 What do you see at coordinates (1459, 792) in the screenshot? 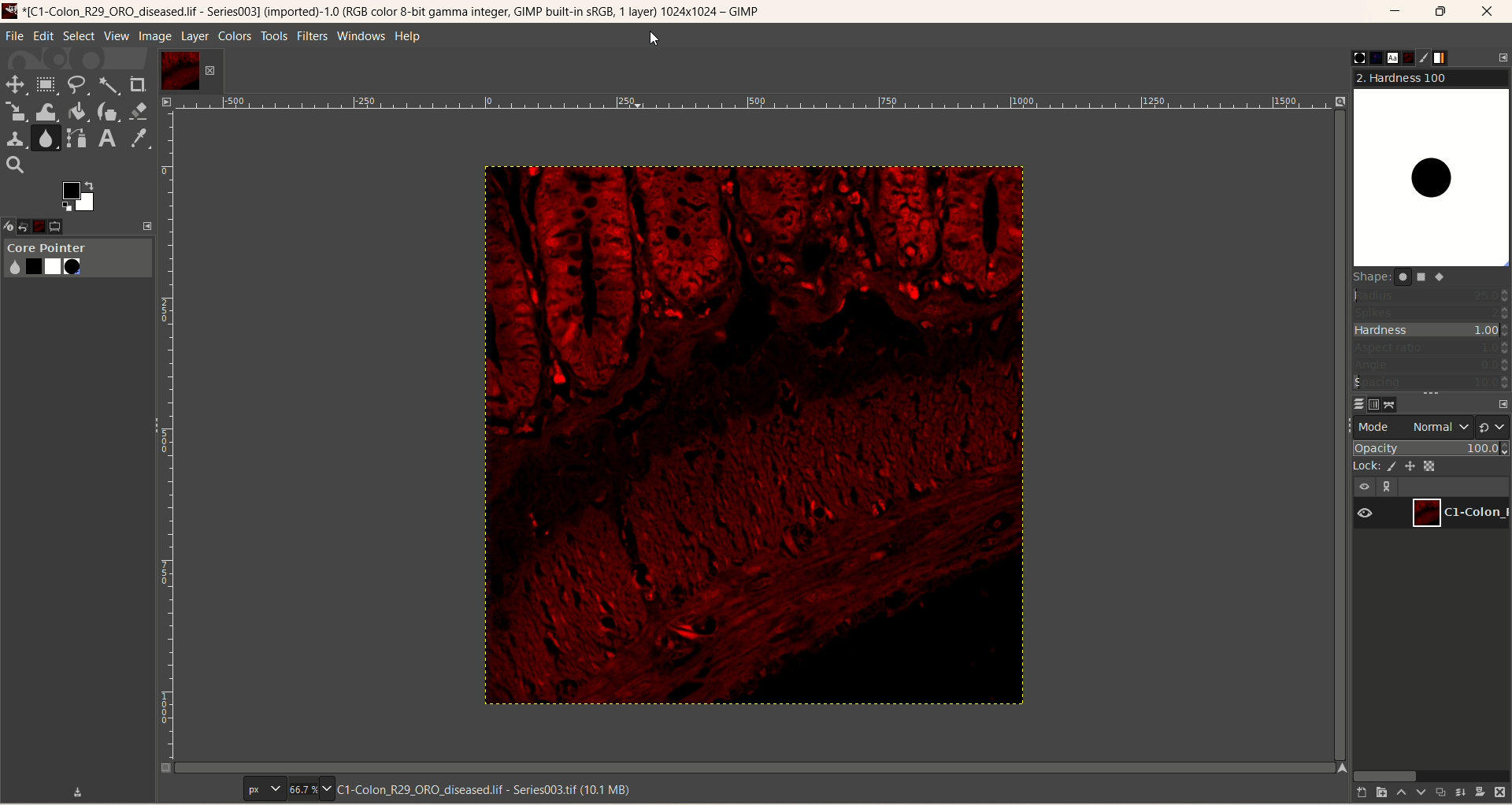
I see `merge this layer` at bounding box center [1459, 792].